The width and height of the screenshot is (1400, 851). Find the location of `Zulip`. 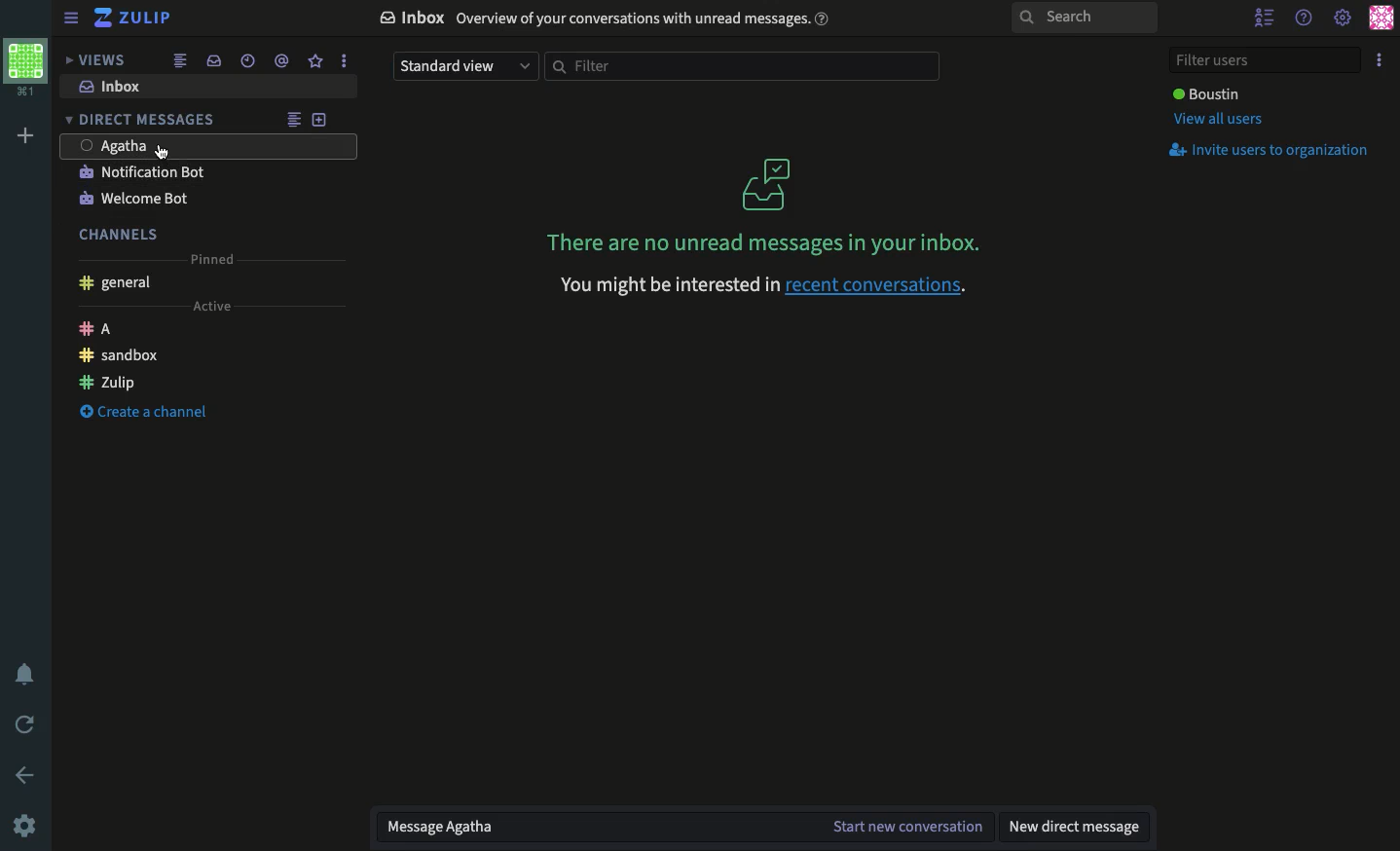

Zulip is located at coordinates (136, 17).